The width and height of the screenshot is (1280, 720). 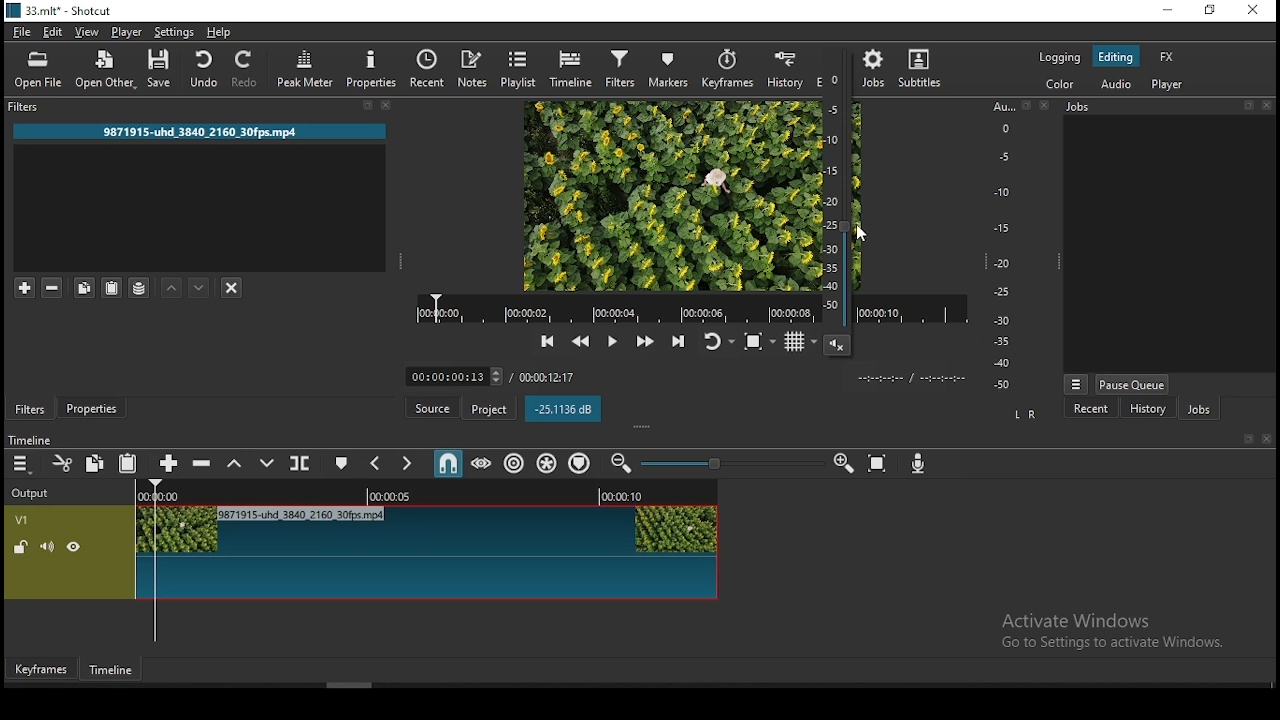 What do you see at coordinates (579, 341) in the screenshot?
I see `play quickly backward` at bounding box center [579, 341].